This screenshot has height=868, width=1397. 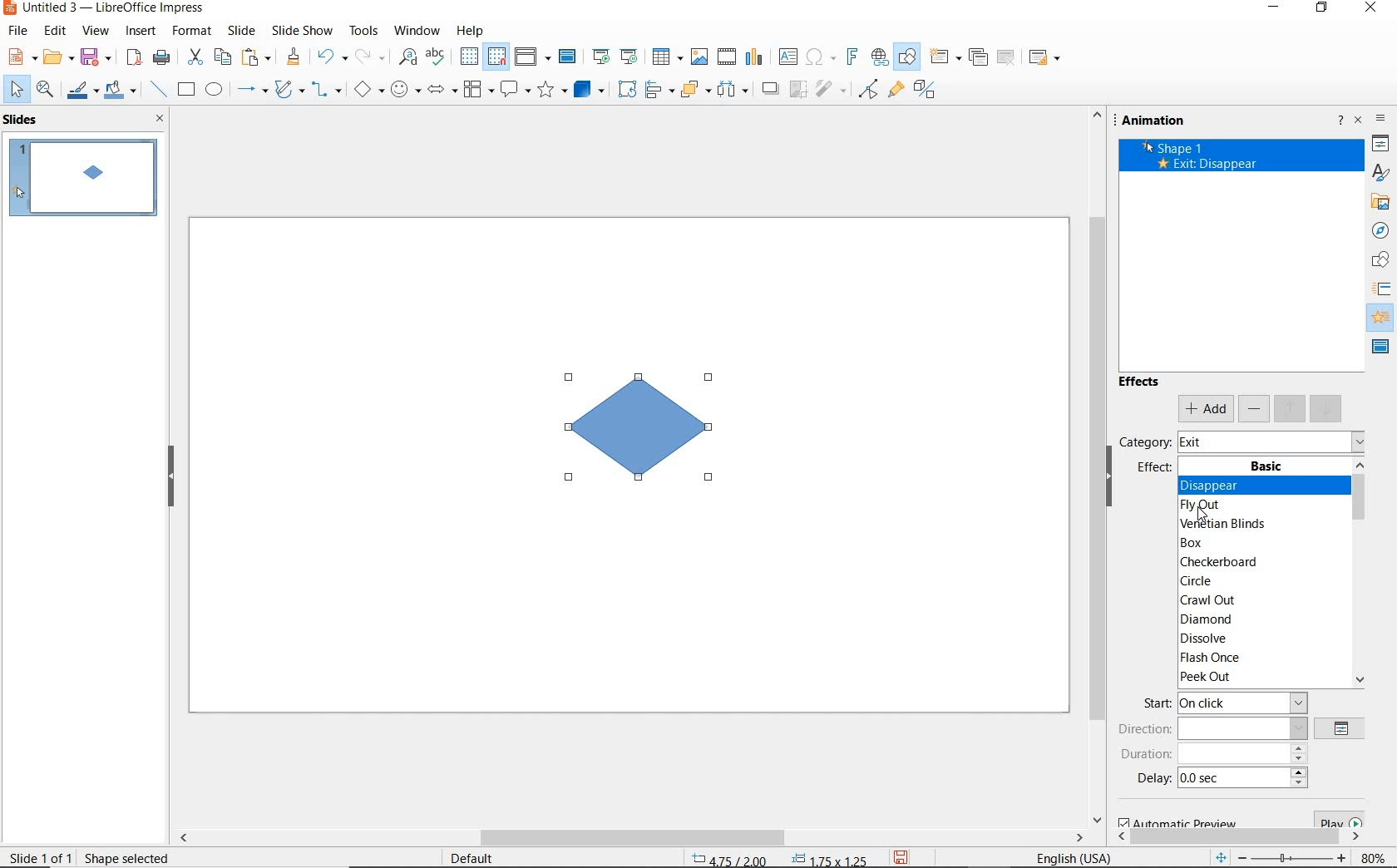 I want to click on hide, so click(x=170, y=478).